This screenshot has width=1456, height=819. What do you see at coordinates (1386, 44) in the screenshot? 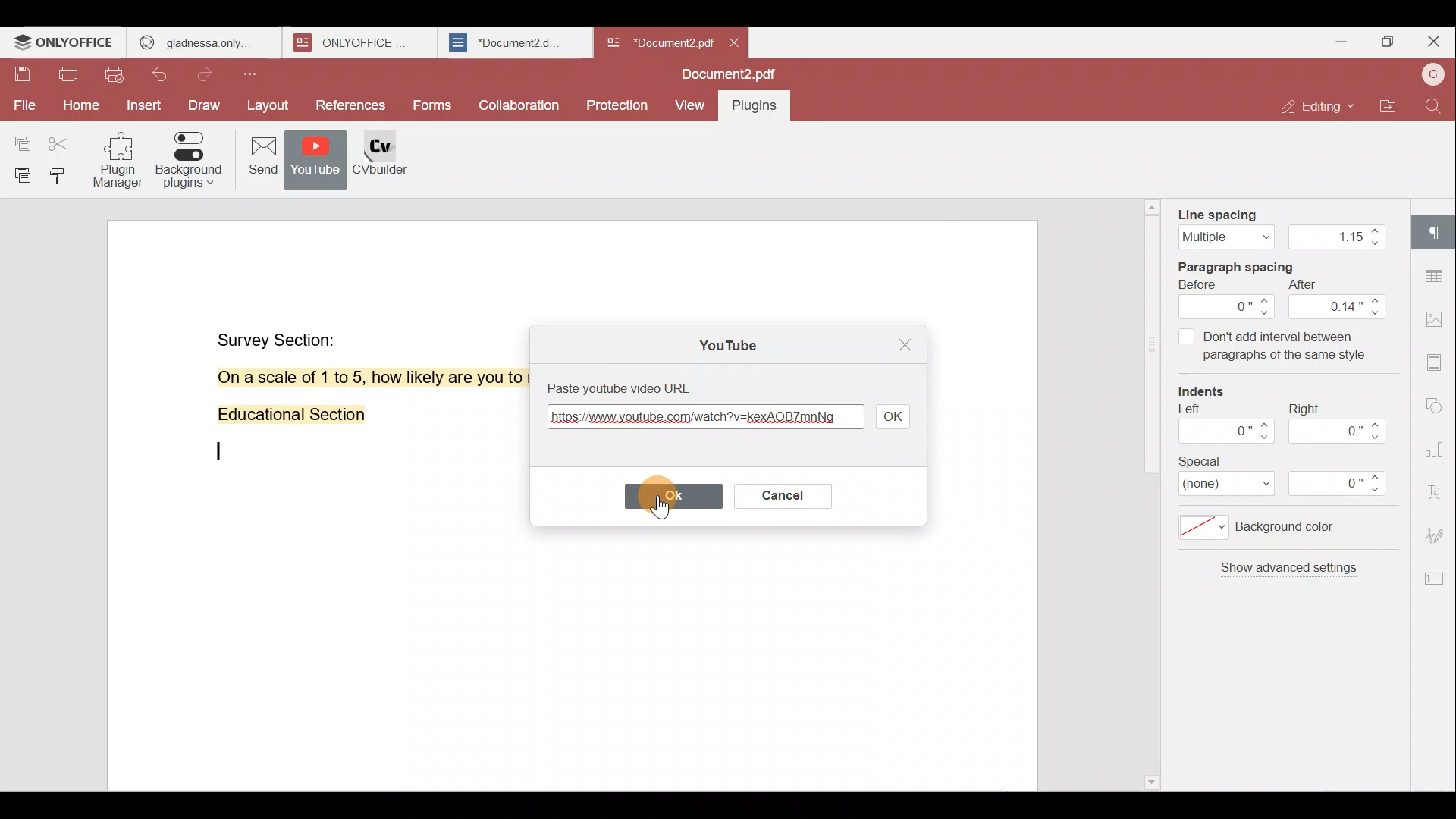
I see `Maximize` at bounding box center [1386, 44].